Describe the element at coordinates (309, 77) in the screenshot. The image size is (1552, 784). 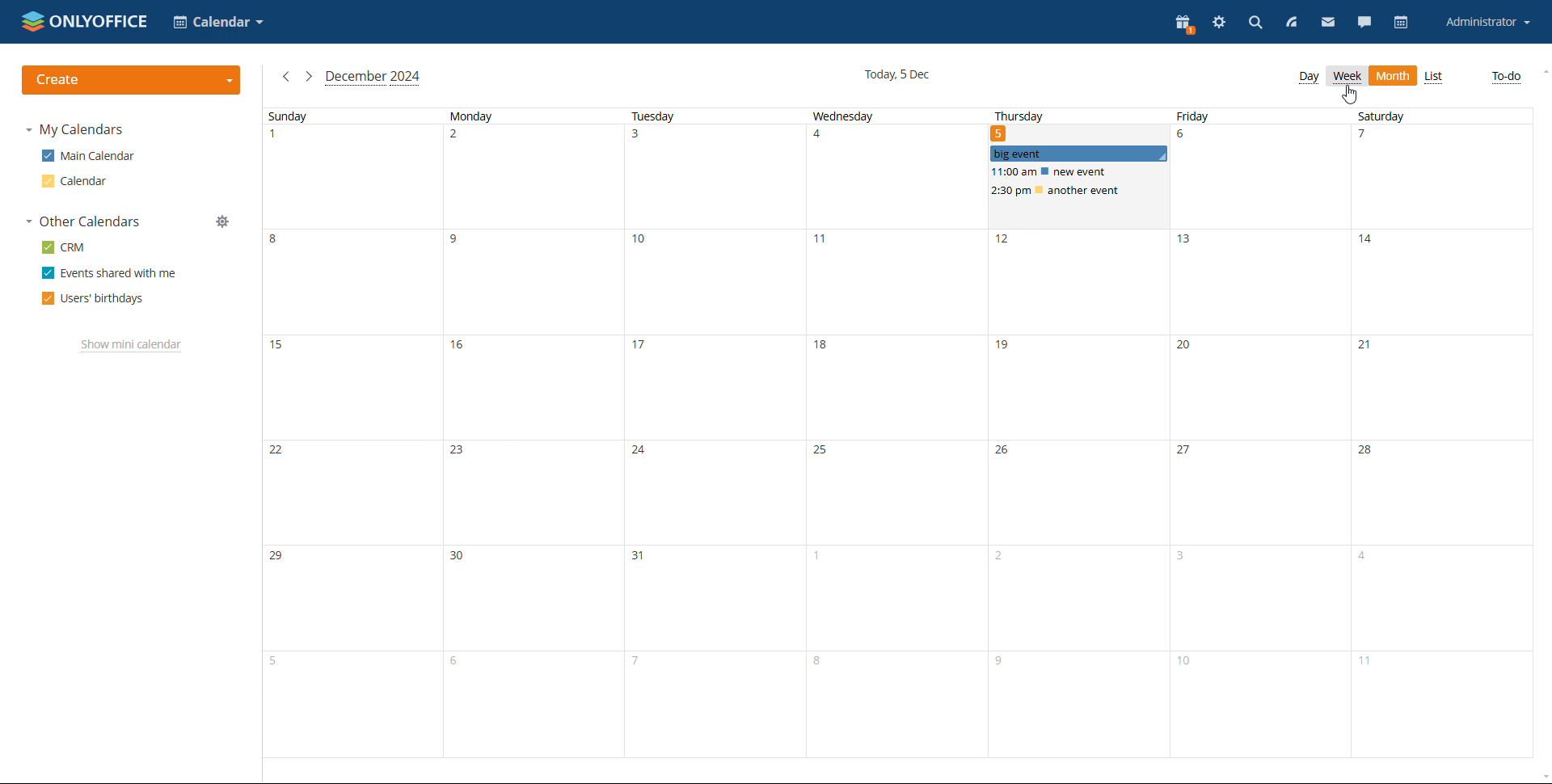
I see `next month` at that location.